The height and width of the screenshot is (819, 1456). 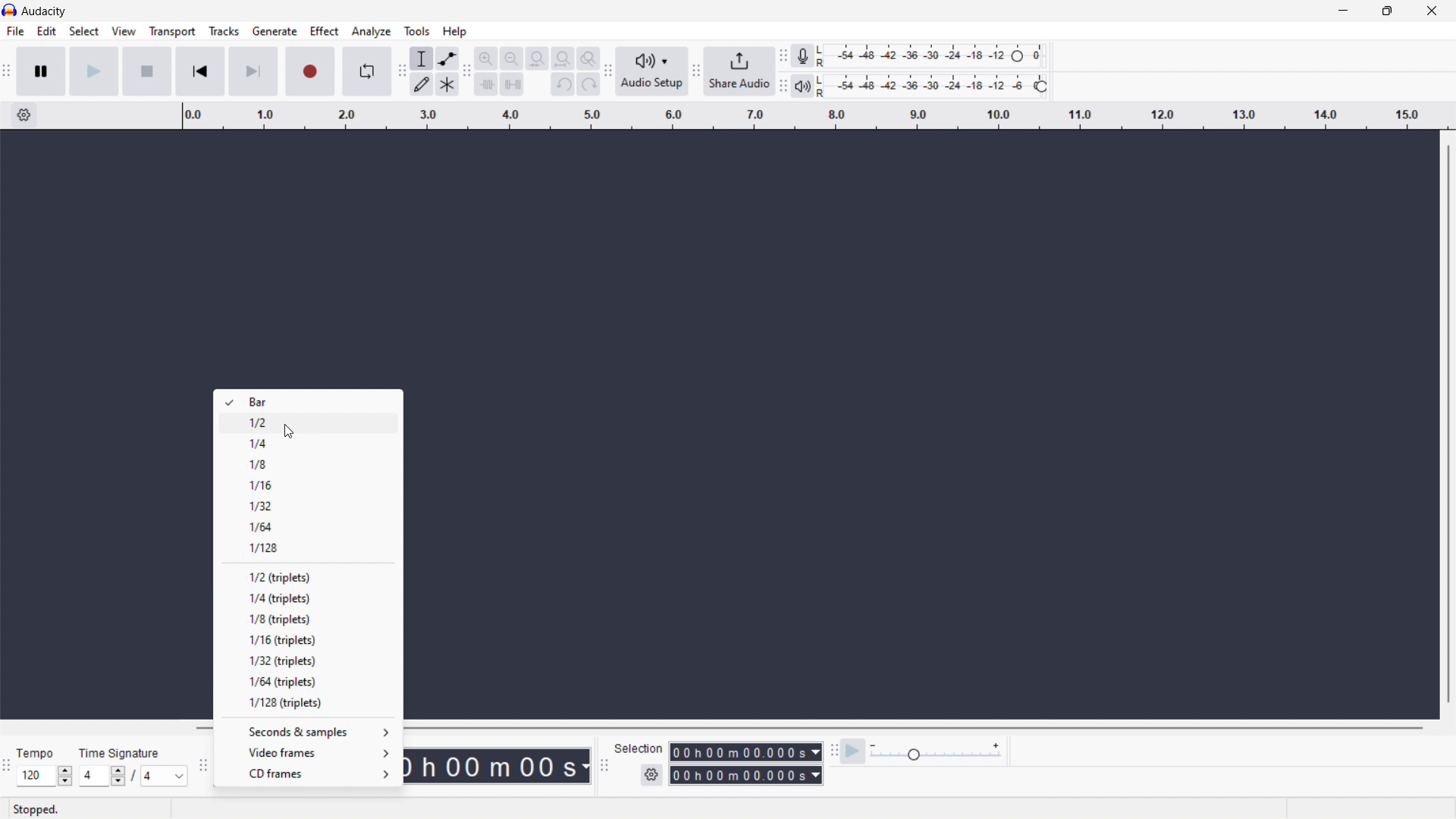 I want to click on undo, so click(x=563, y=83).